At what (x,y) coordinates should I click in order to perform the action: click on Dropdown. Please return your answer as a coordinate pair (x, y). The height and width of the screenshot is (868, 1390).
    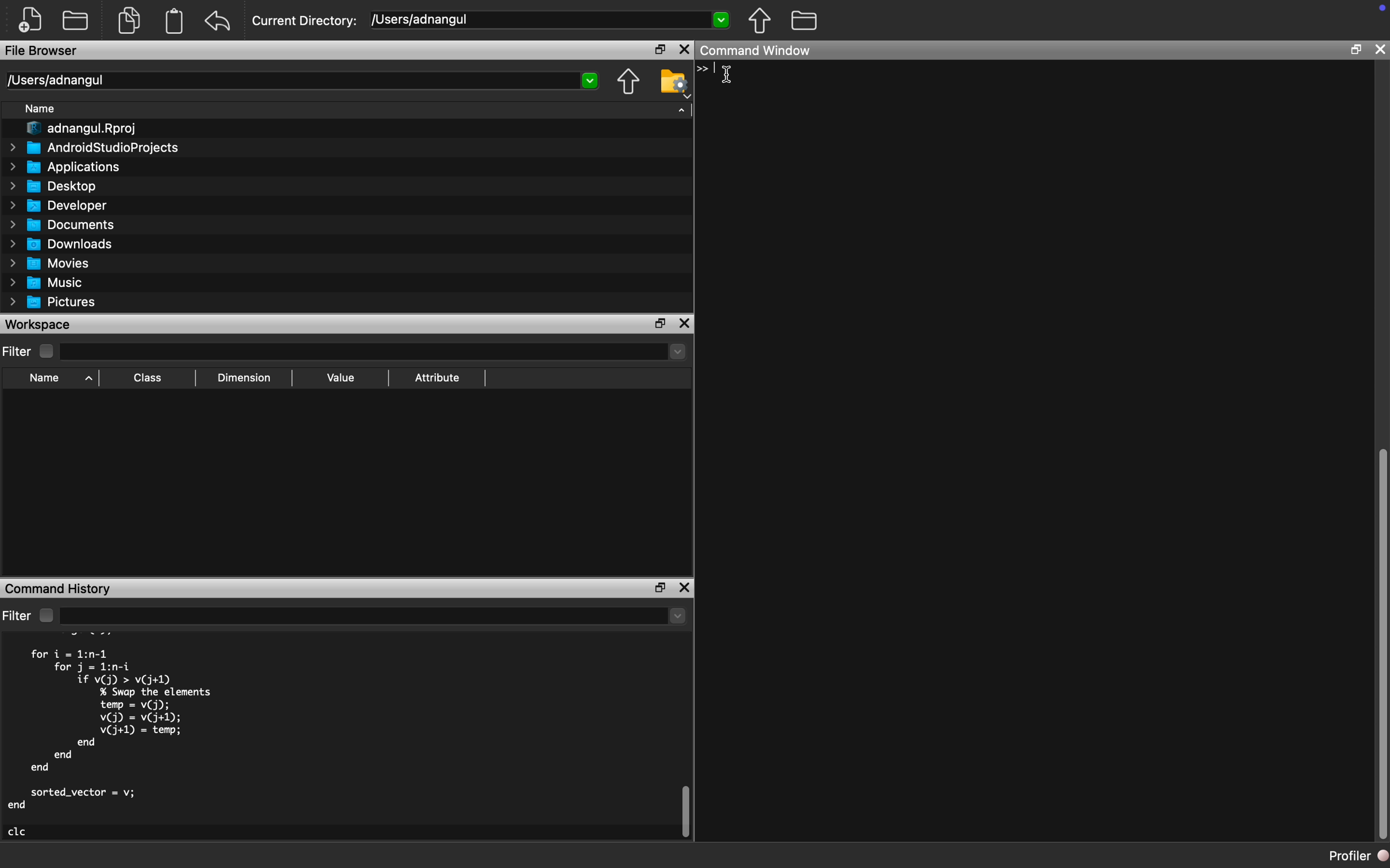
    Looking at the image, I should click on (373, 617).